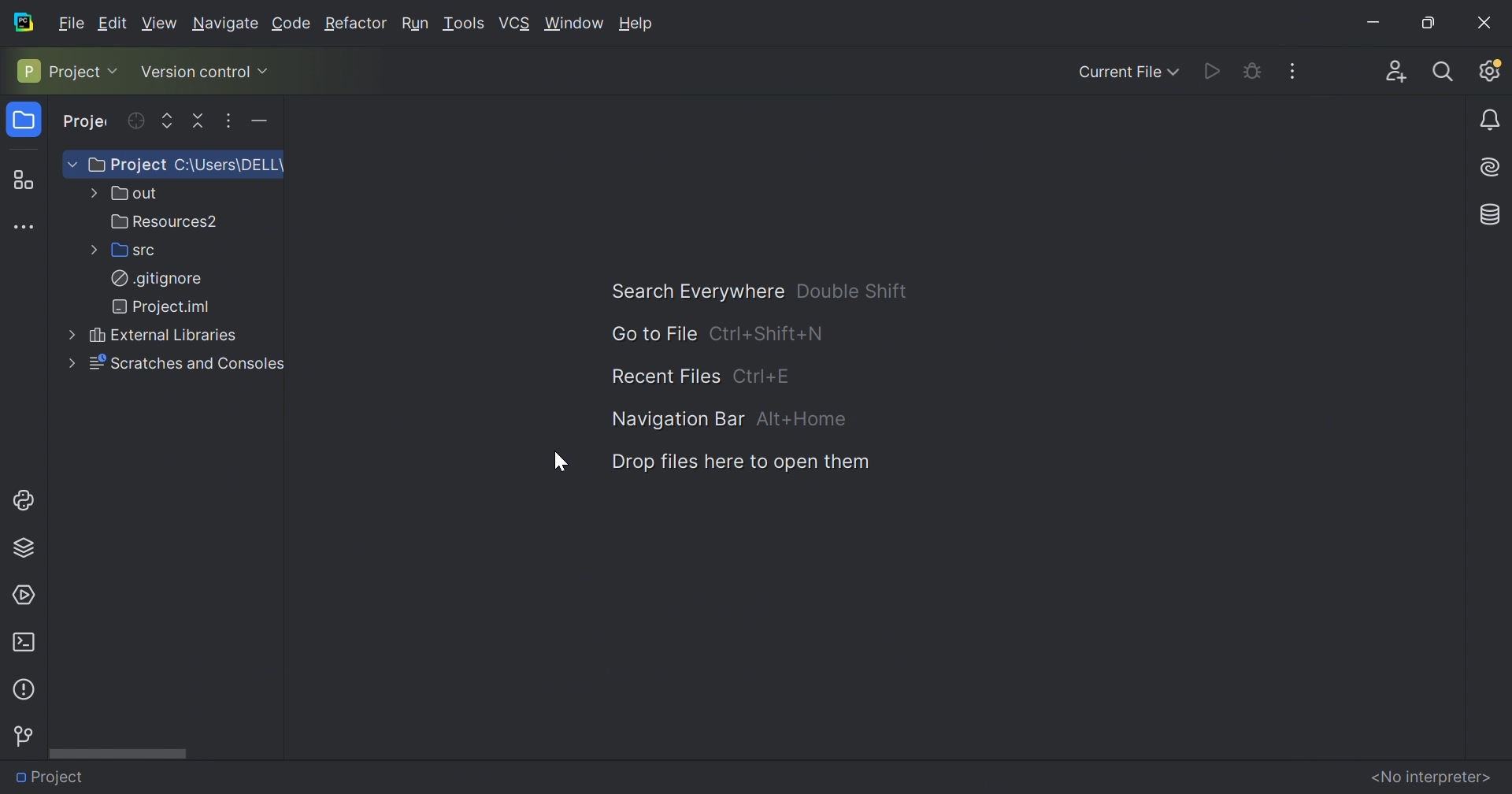 The width and height of the screenshot is (1512, 794). Describe the element at coordinates (1177, 72) in the screenshot. I see `Drop Down` at that location.